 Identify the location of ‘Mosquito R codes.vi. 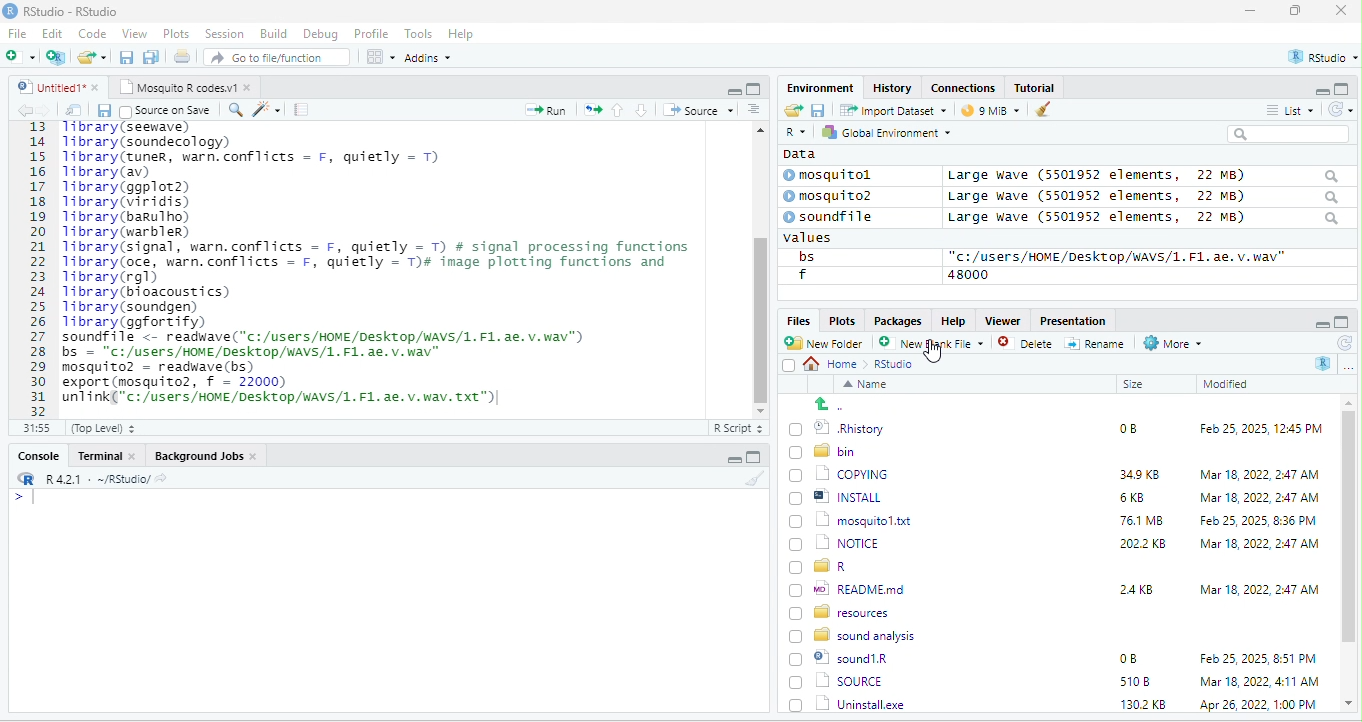
(181, 86).